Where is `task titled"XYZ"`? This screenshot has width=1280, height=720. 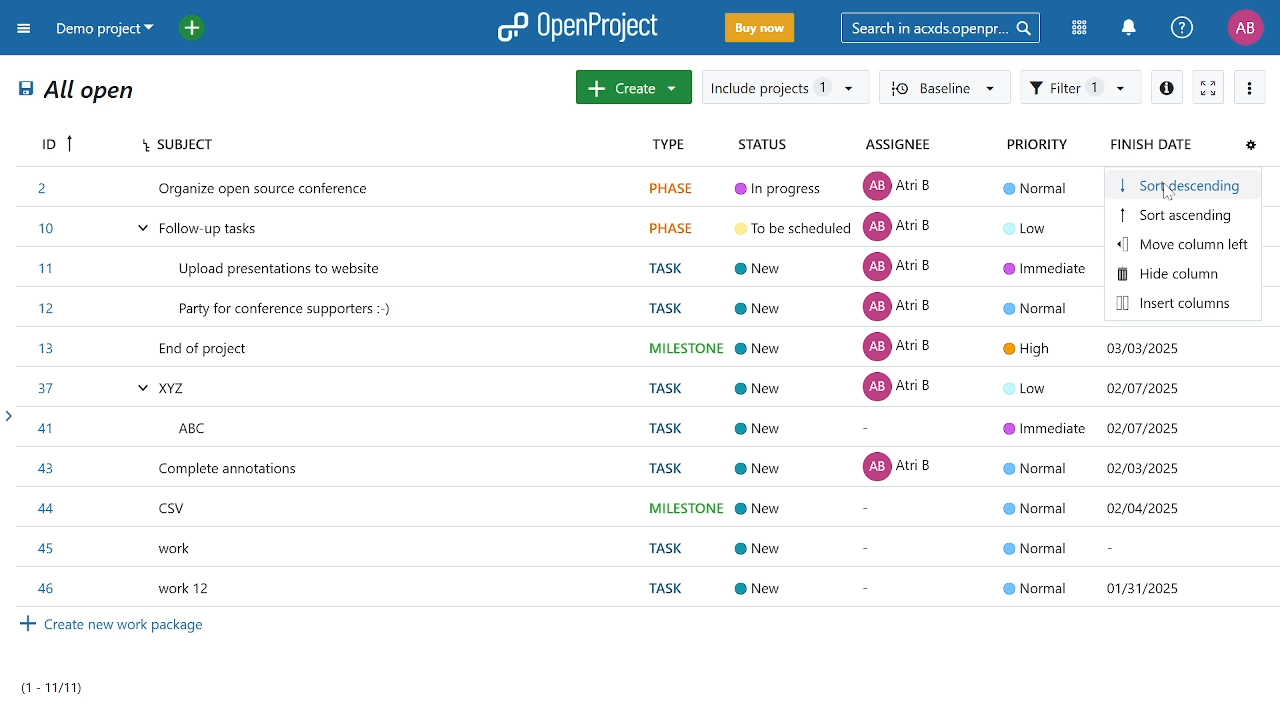 task titled"XYZ" is located at coordinates (649, 386).